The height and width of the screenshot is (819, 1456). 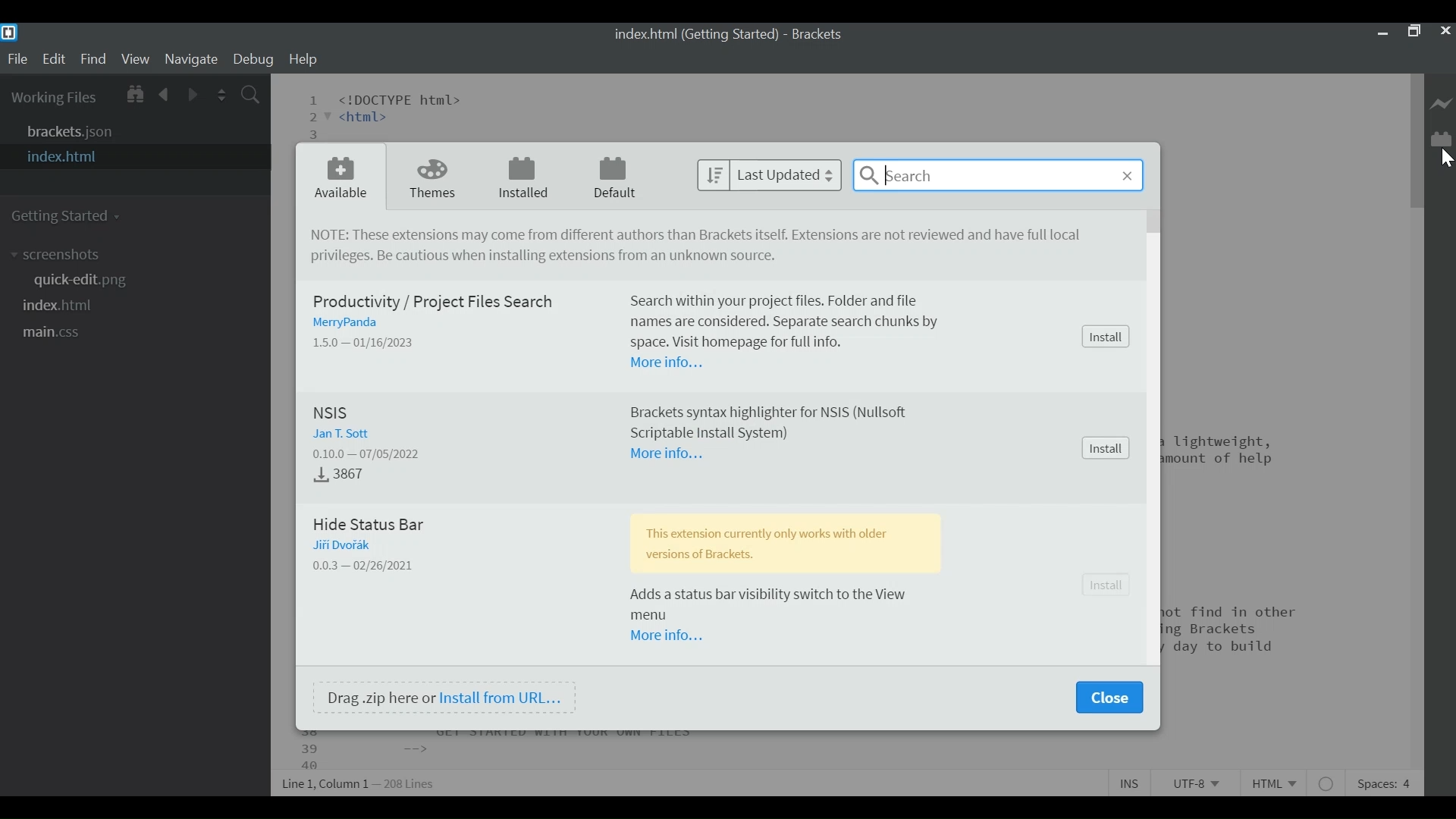 I want to click on Last Updated, so click(x=768, y=176).